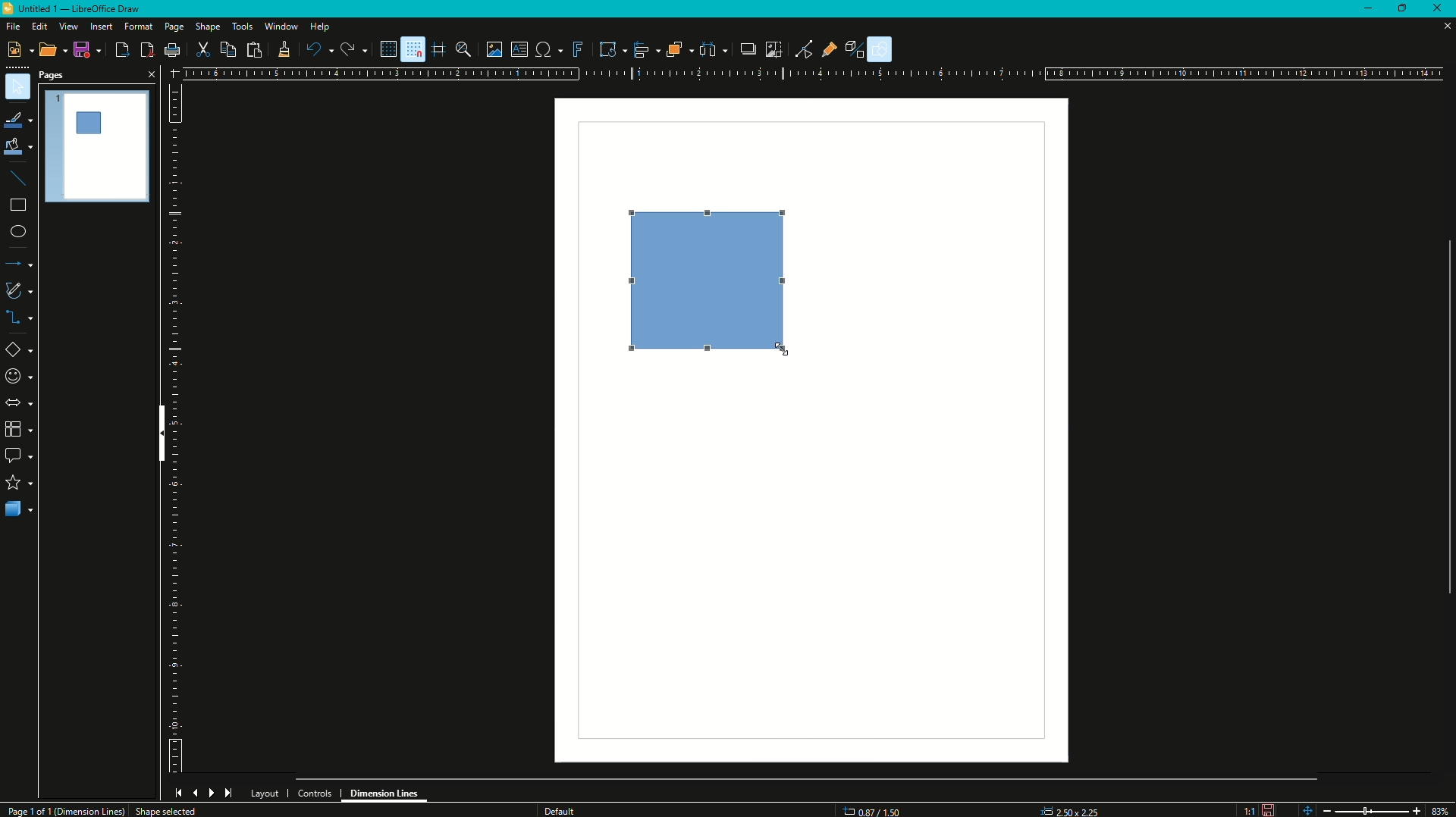 This screenshot has height=817, width=1456. What do you see at coordinates (858, 48) in the screenshot?
I see `Toggle Extrusion` at bounding box center [858, 48].